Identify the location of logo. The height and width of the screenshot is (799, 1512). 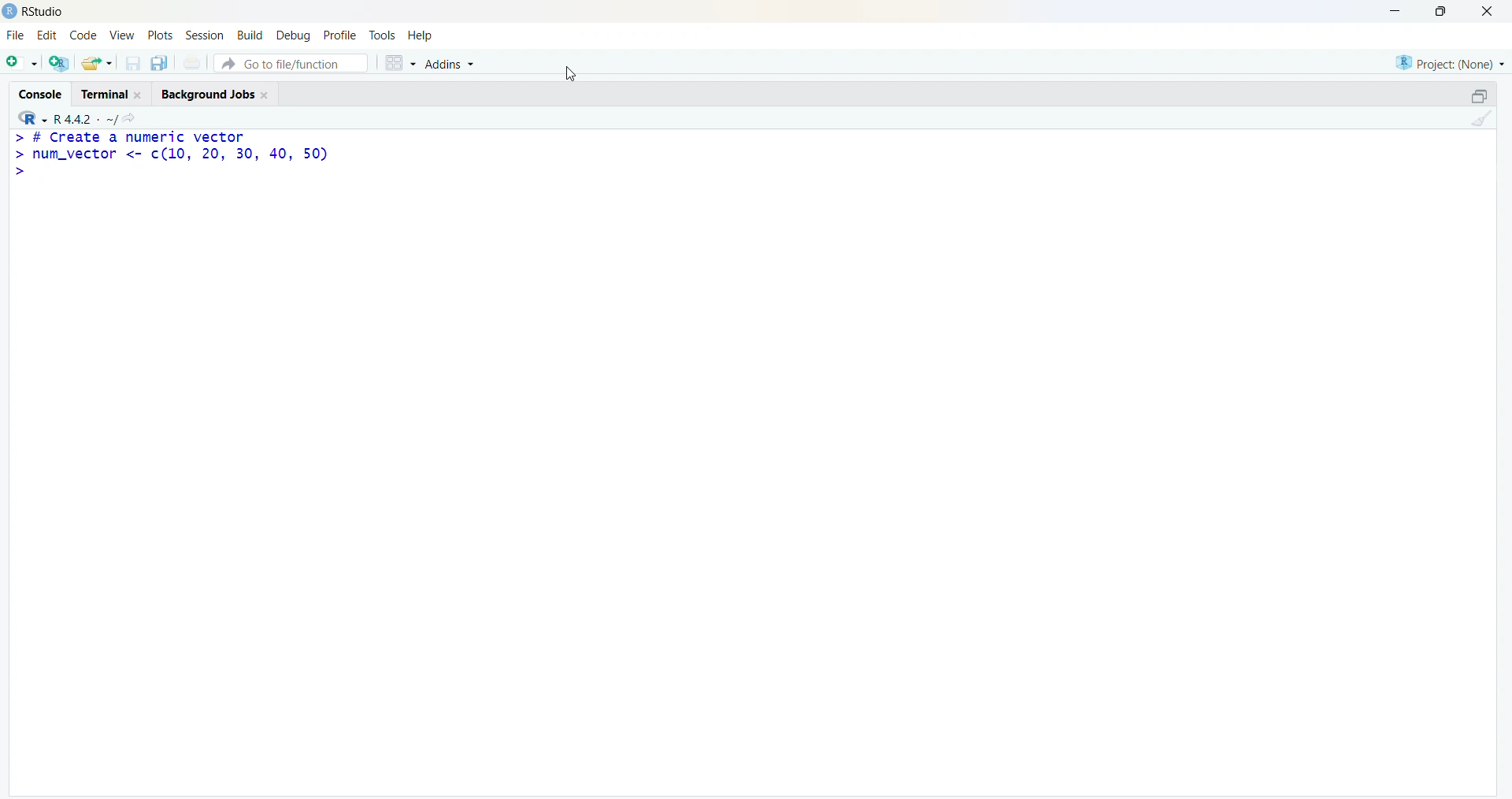
(11, 12).